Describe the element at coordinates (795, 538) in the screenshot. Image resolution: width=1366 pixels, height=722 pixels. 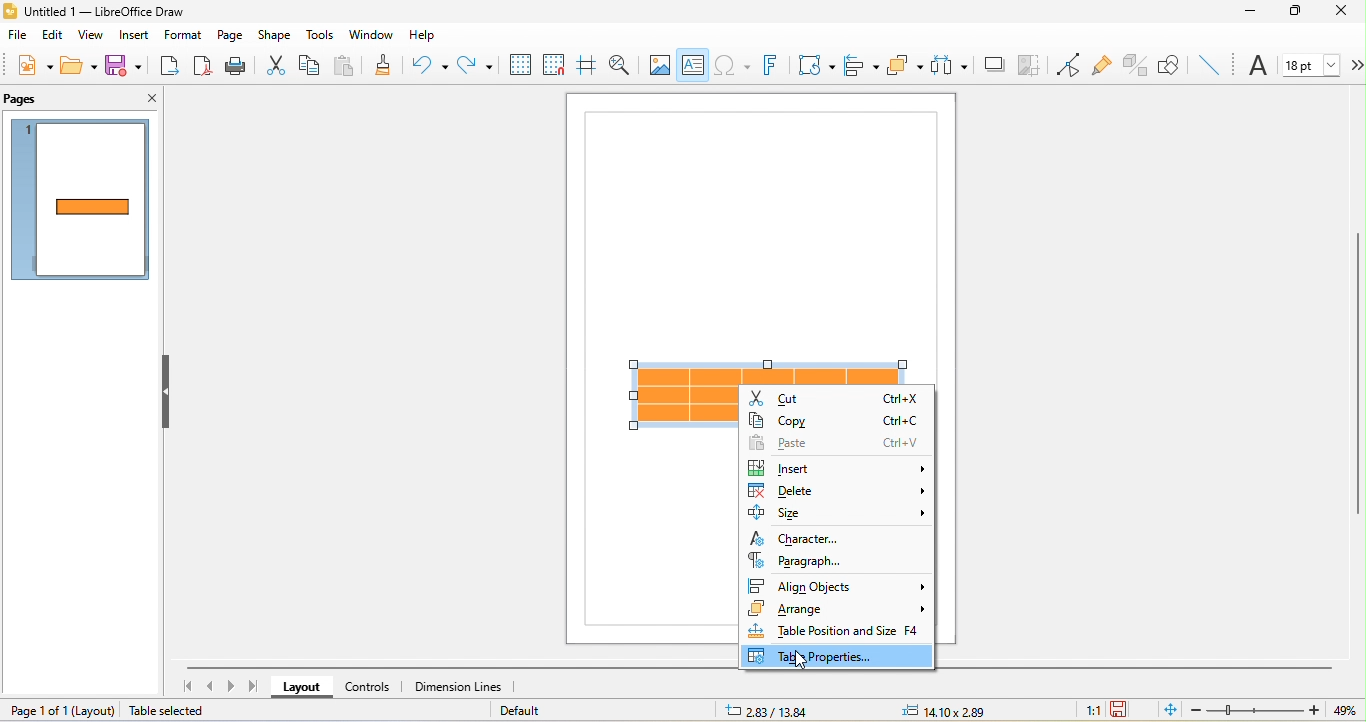
I see `character` at that location.